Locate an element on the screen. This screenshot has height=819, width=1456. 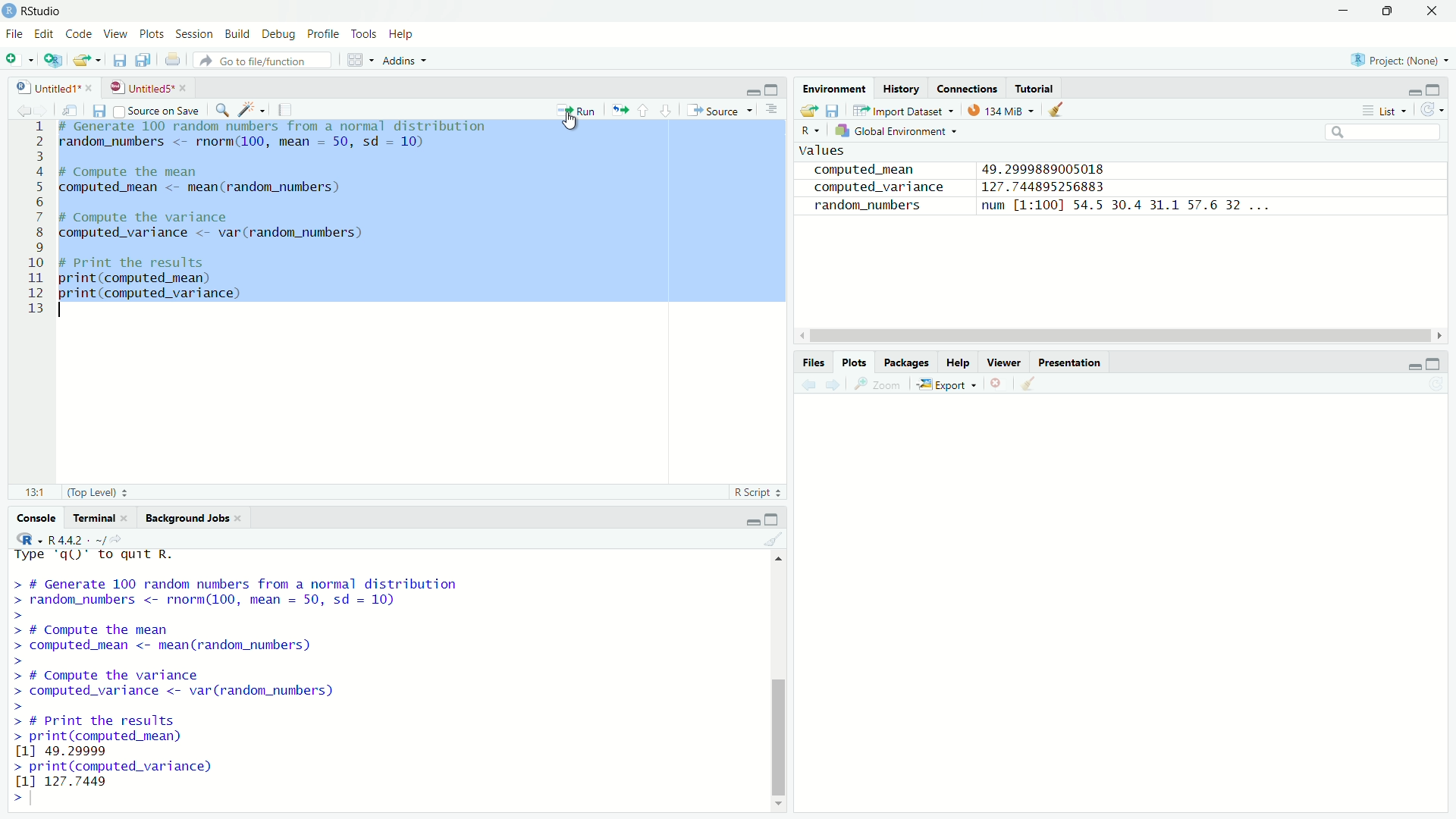
logo is located at coordinates (9, 11).